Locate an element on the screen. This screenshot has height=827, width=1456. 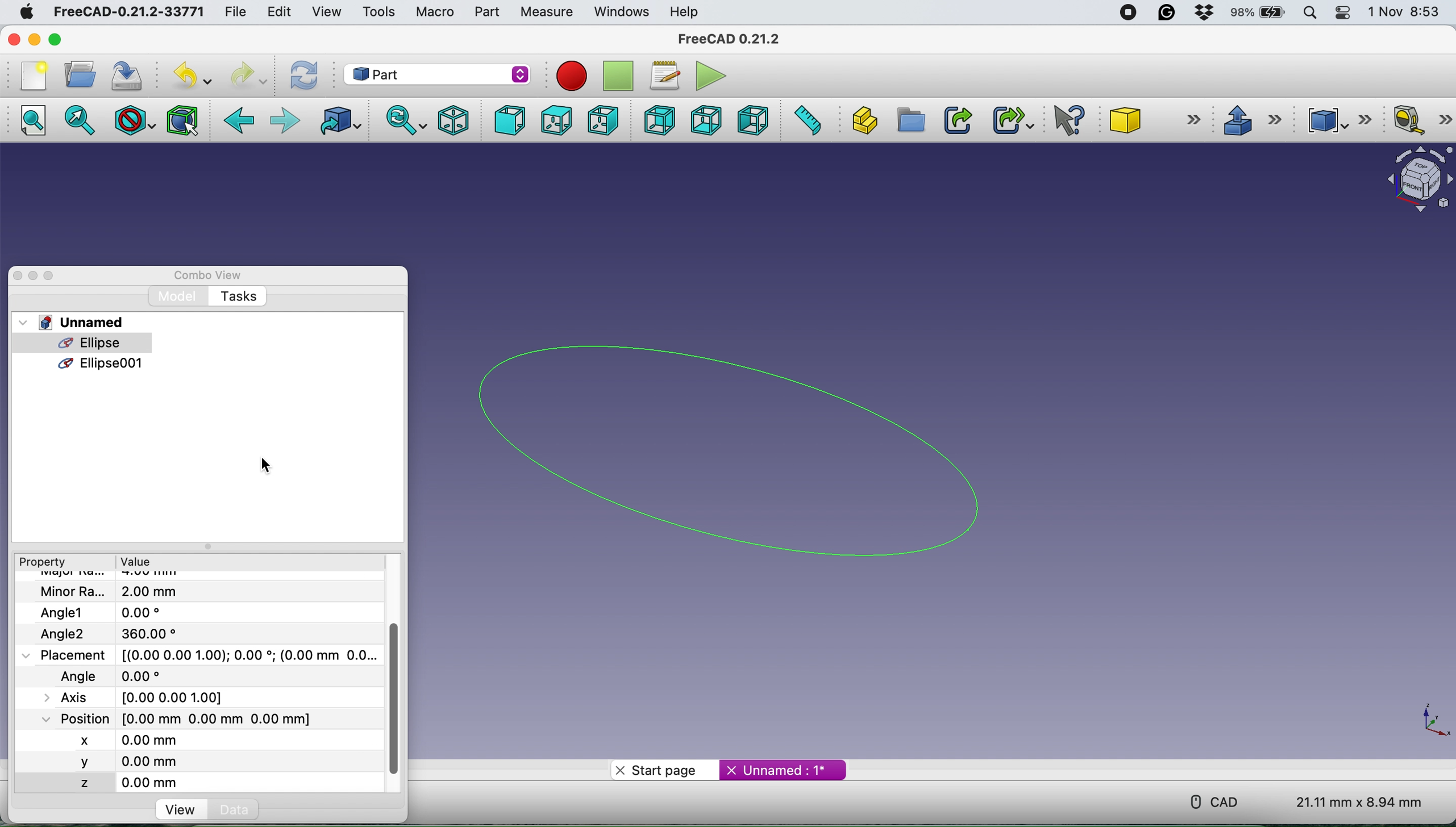
sync view is located at coordinates (406, 120).